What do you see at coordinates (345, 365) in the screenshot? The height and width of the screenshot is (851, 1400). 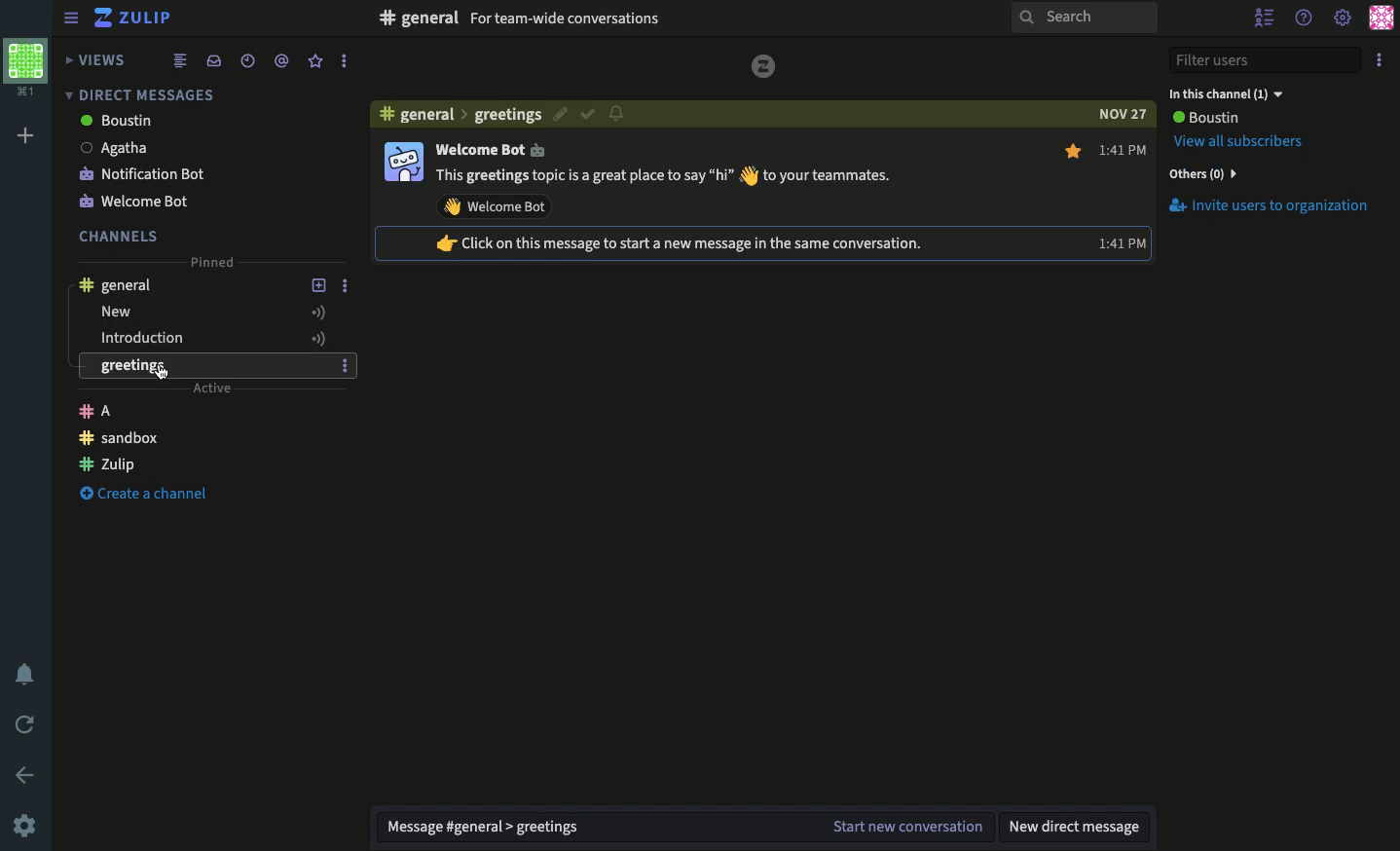 I see `Options` at bounding box center [345, 365].